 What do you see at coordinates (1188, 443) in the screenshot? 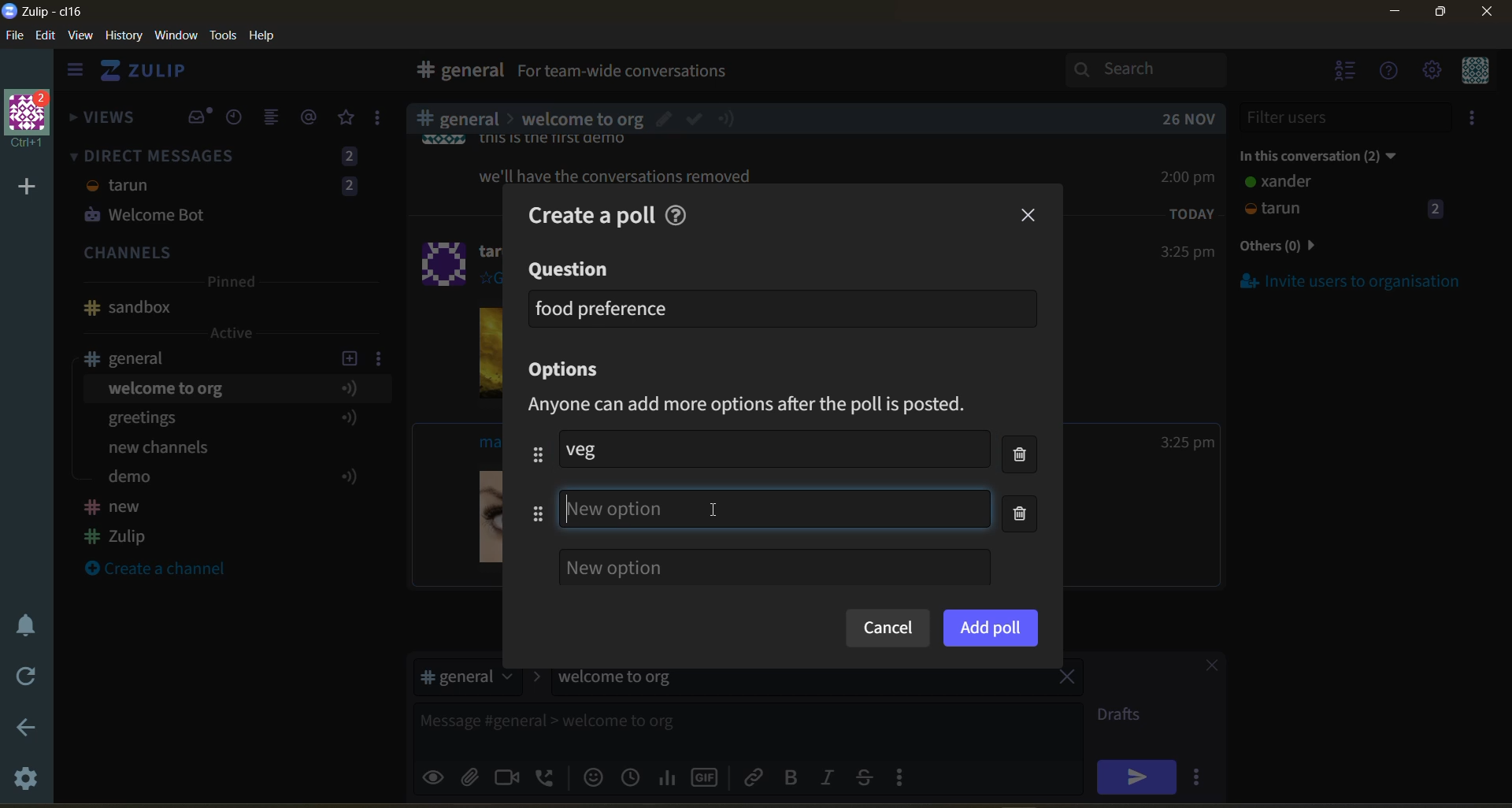
I see `3:25 pm` at bounding box center [1188, 443].